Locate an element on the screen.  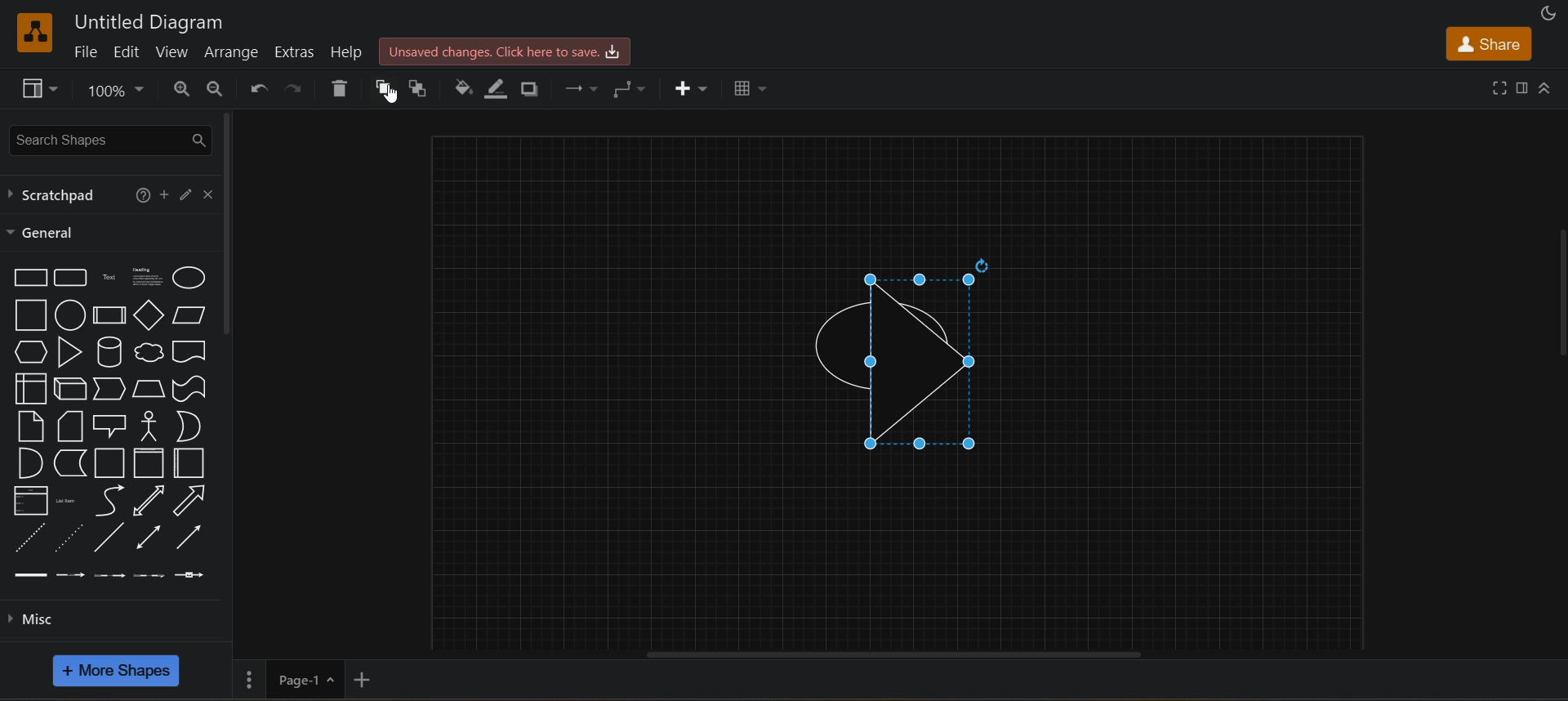
page 1 is located at coordinates (289, 677).